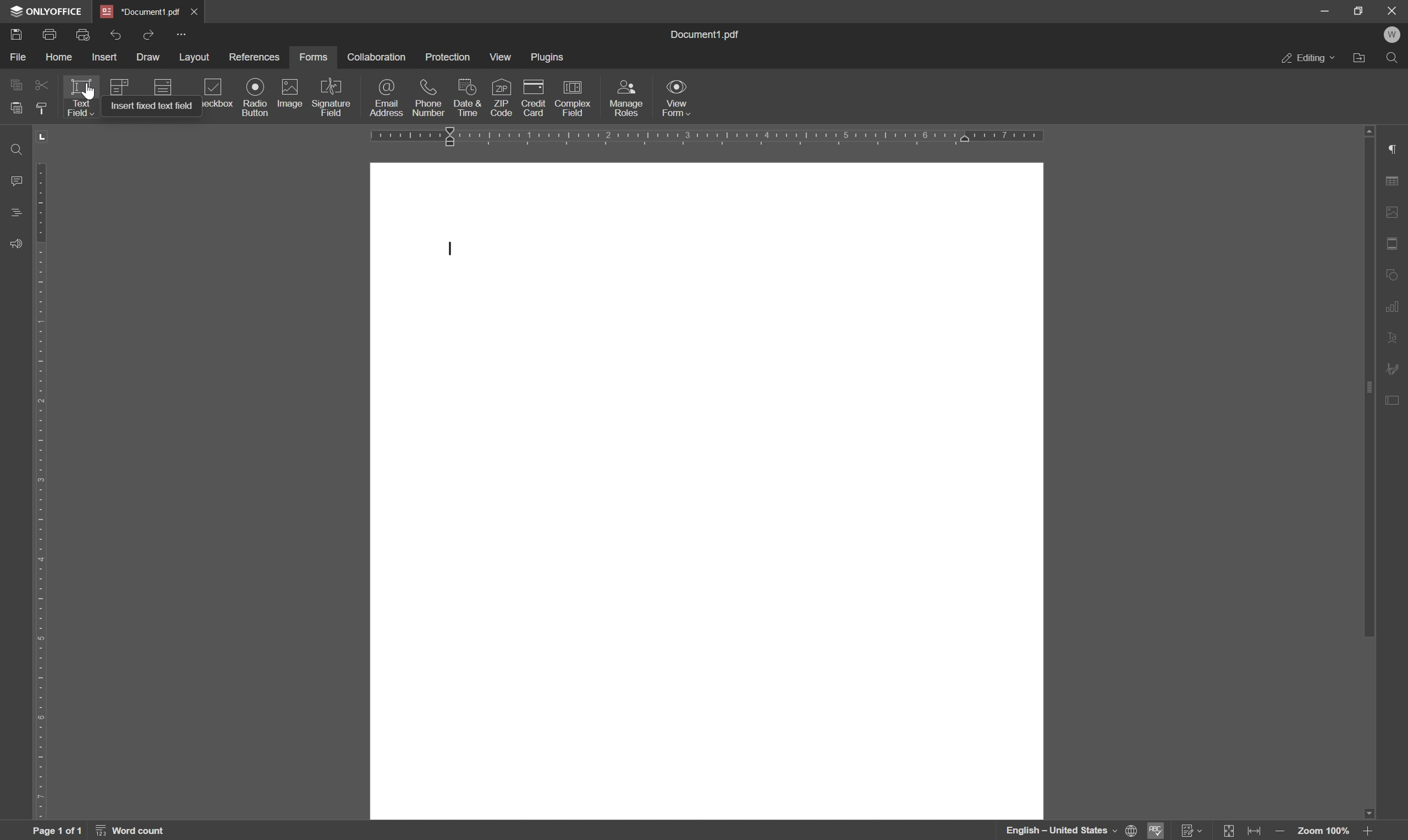 The width and height of the screenshot is (1408, 840). Describe the element at coordinates (333, 97) in the screenshot. I see `signature field` at that location.